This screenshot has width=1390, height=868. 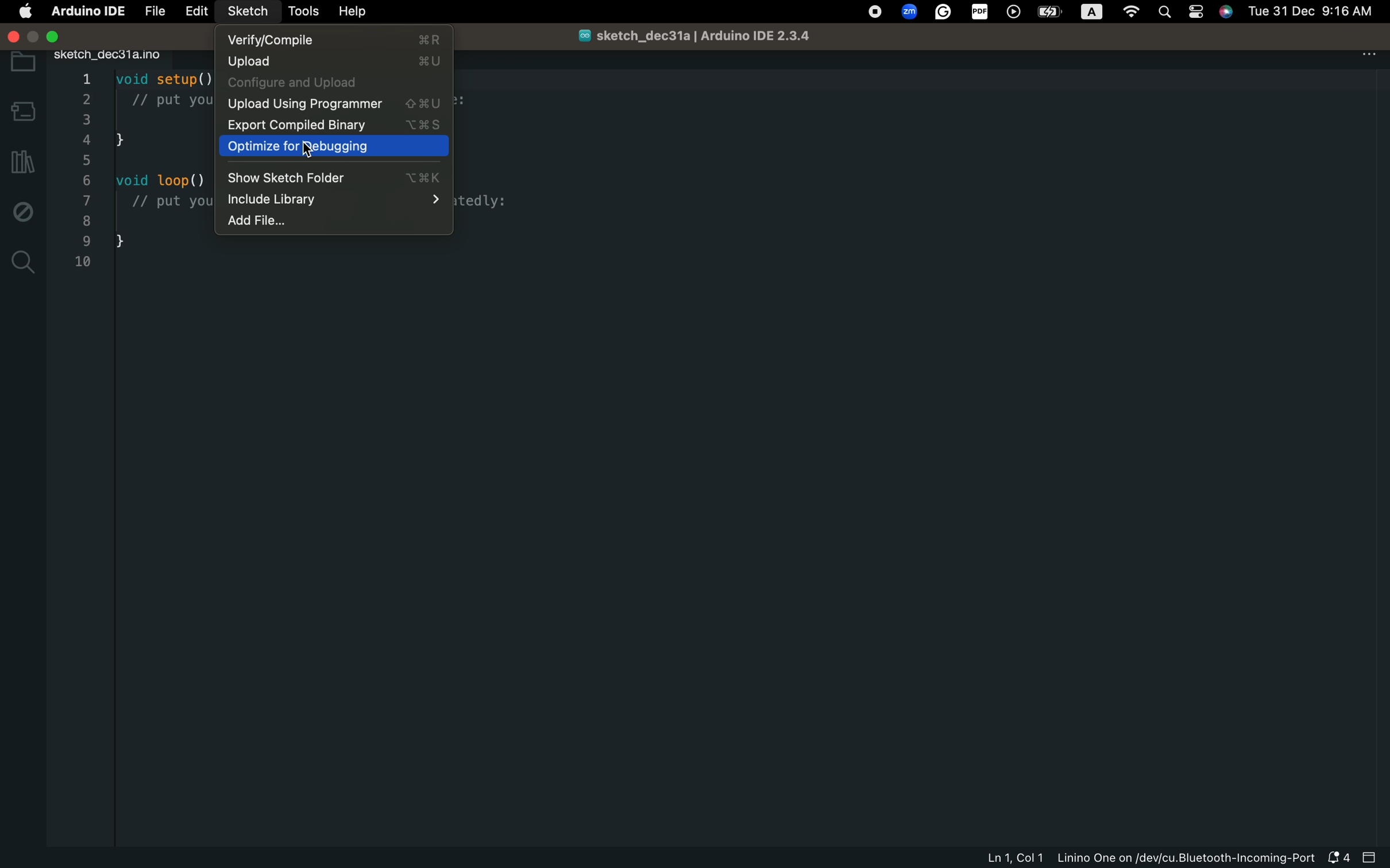 What do you see at coordinates (334, 201) in the screenshot?
I see `include library ` at bounding box center [334, 201].